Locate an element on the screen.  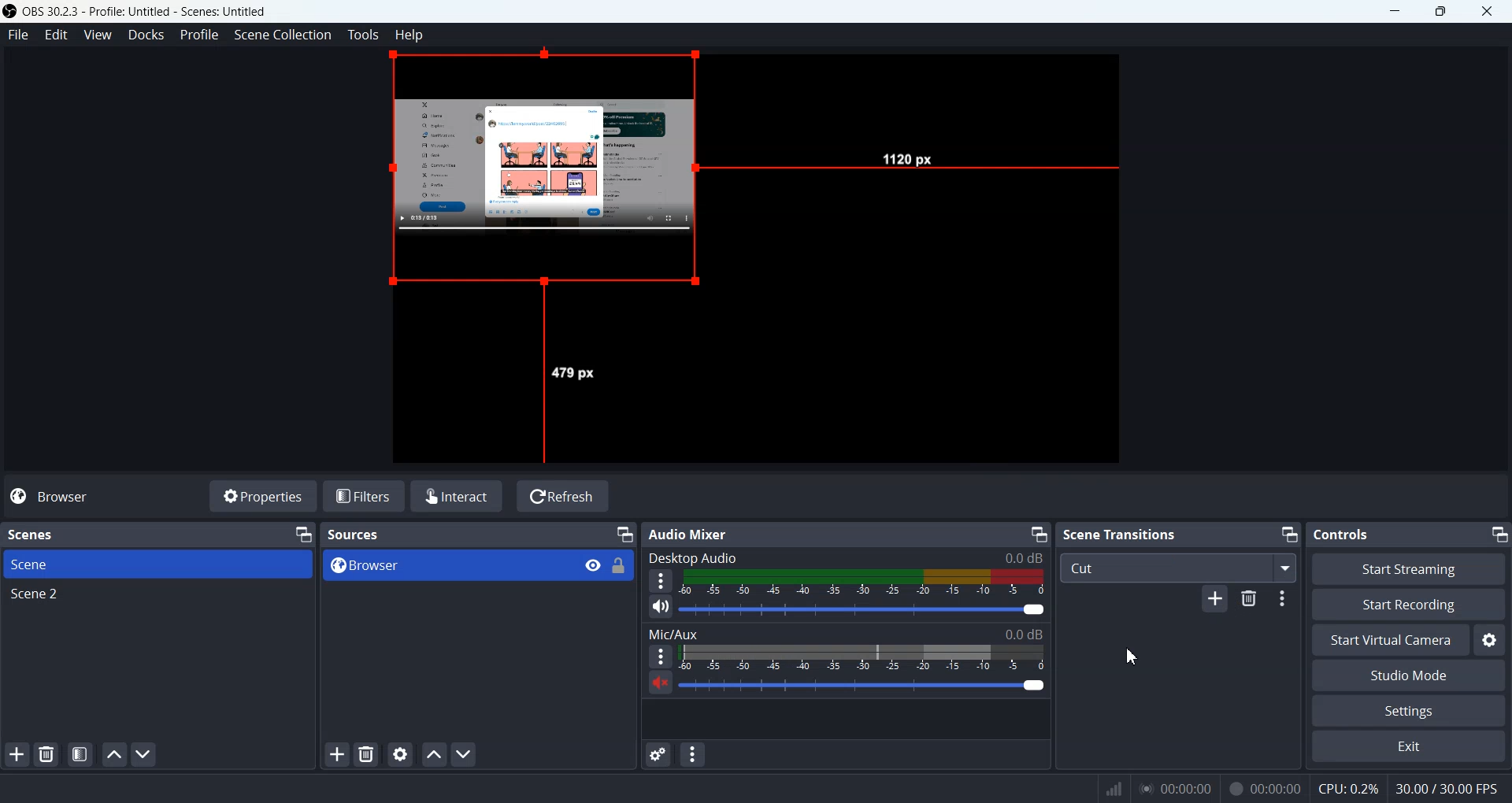
Source is located at coordinates (553, 172).